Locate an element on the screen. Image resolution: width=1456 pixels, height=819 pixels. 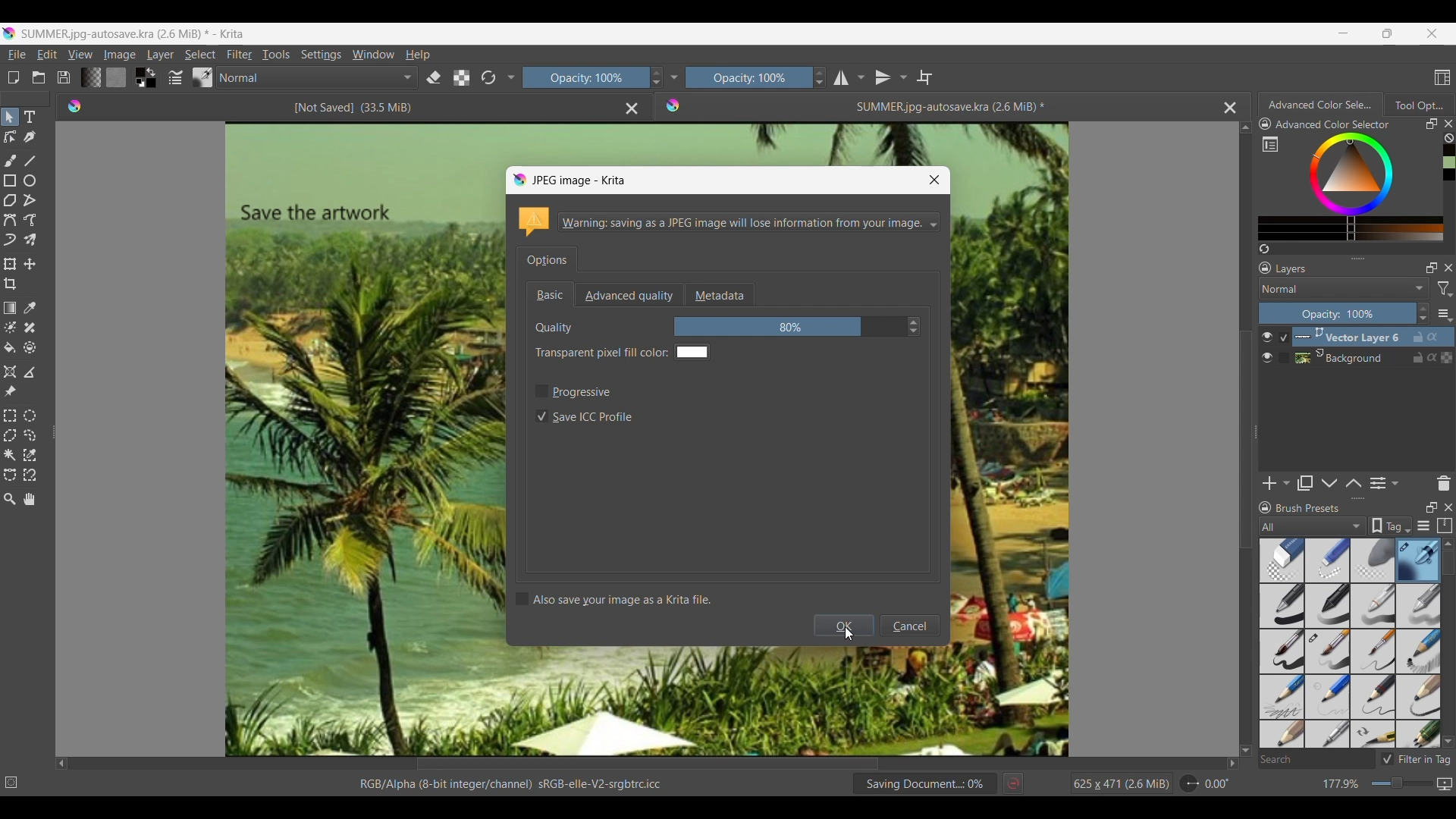
Save input made  is located at coordinates (844, 626).